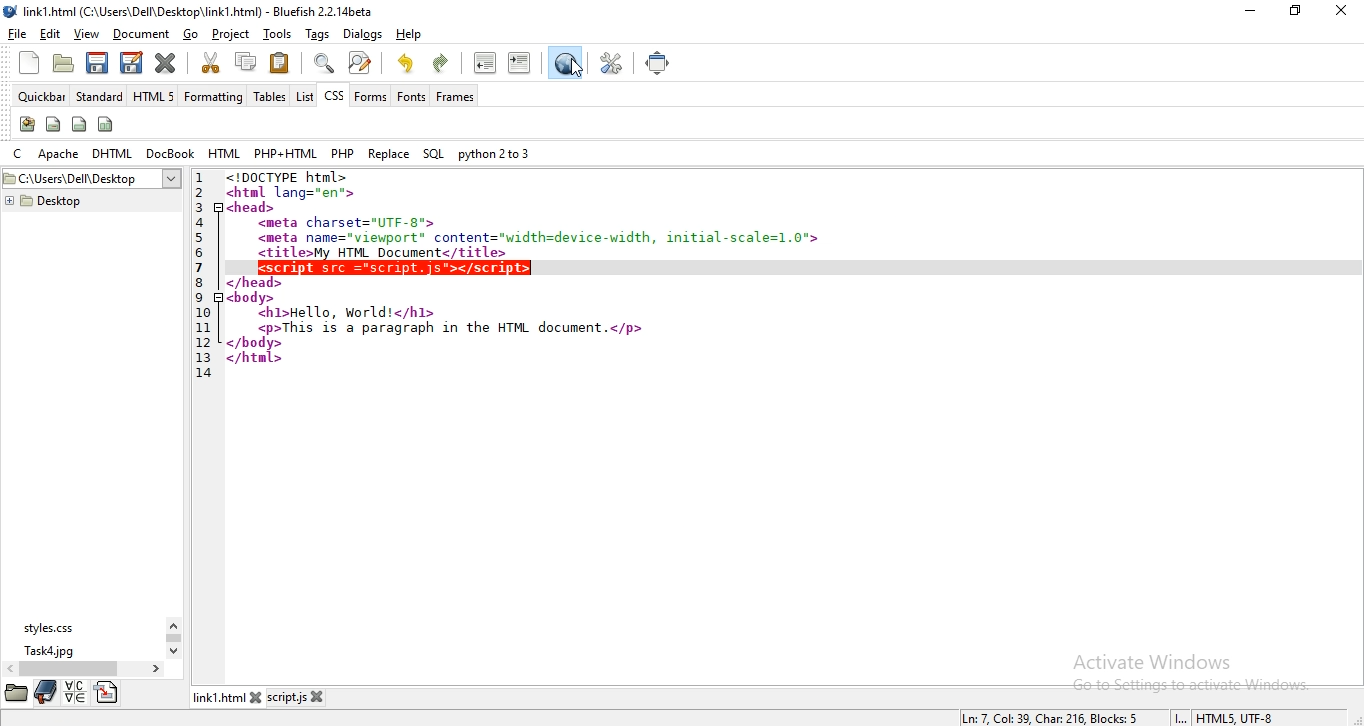 The height and width of the screenshot is (726, 1364). I want to click on language, so click(76, 692).